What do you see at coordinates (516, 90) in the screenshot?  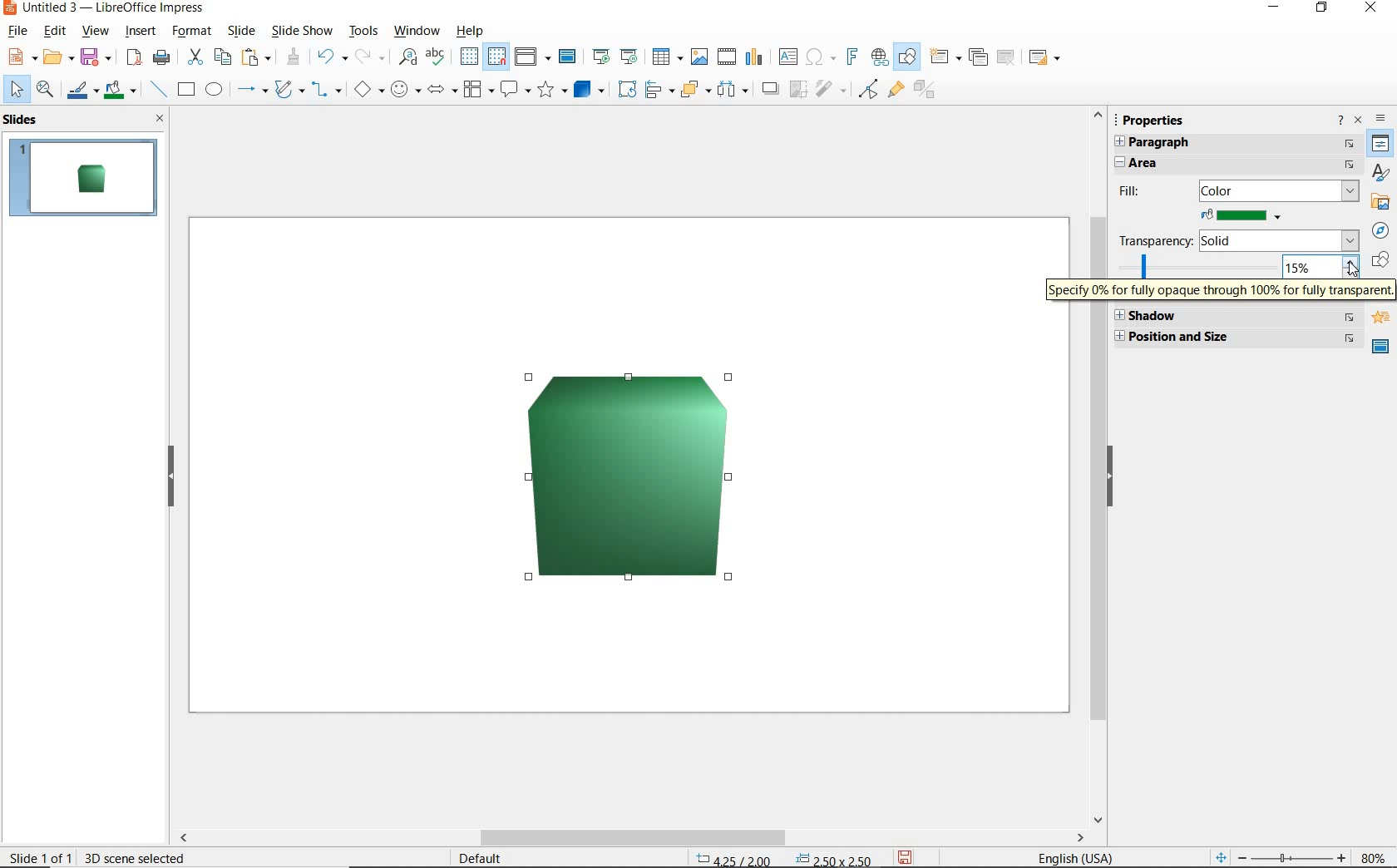 I see `callout shapes` at bounding box center [516, 90].